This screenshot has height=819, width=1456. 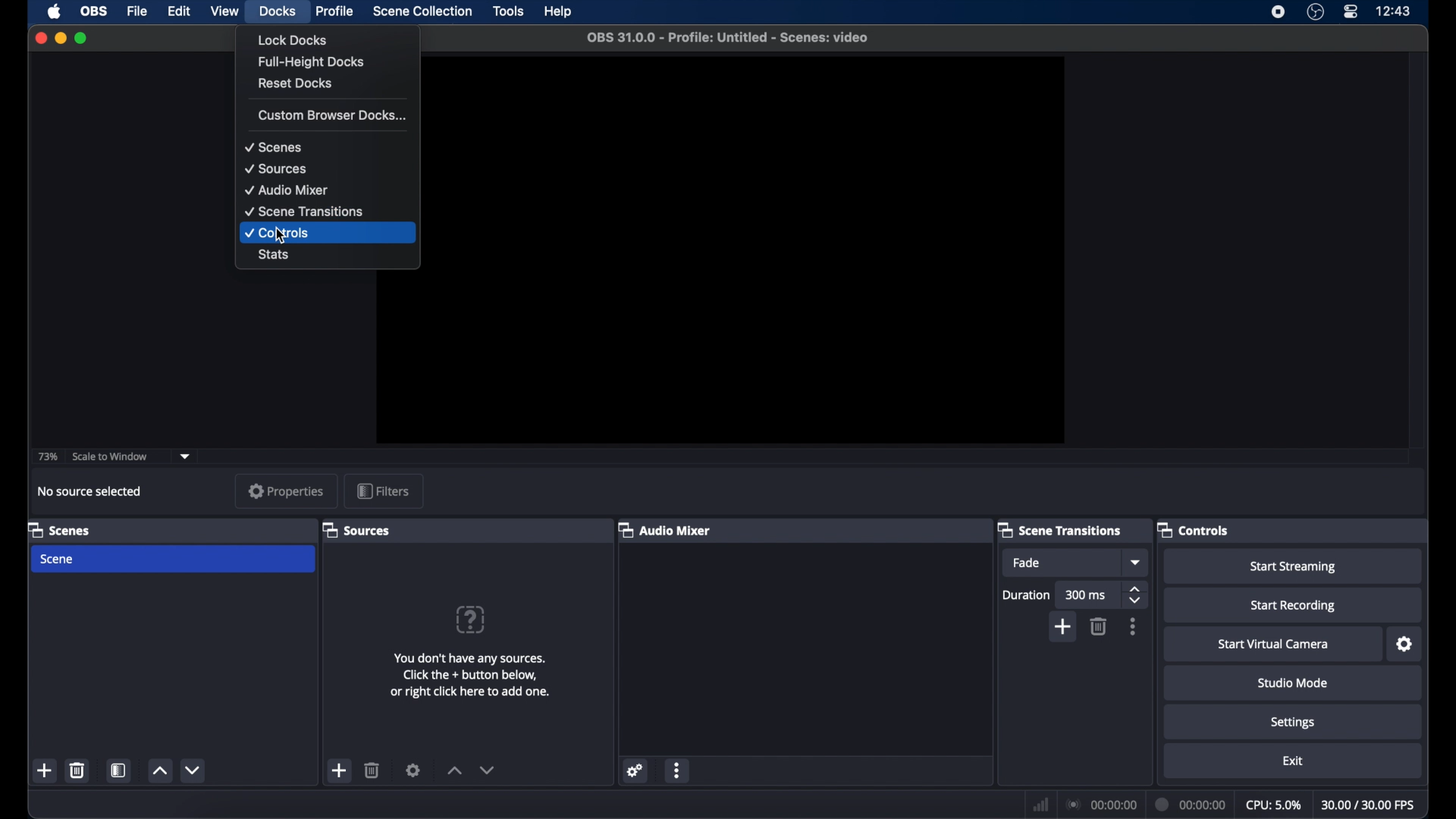 I want to click on connection, so click(x=1103, y=804).